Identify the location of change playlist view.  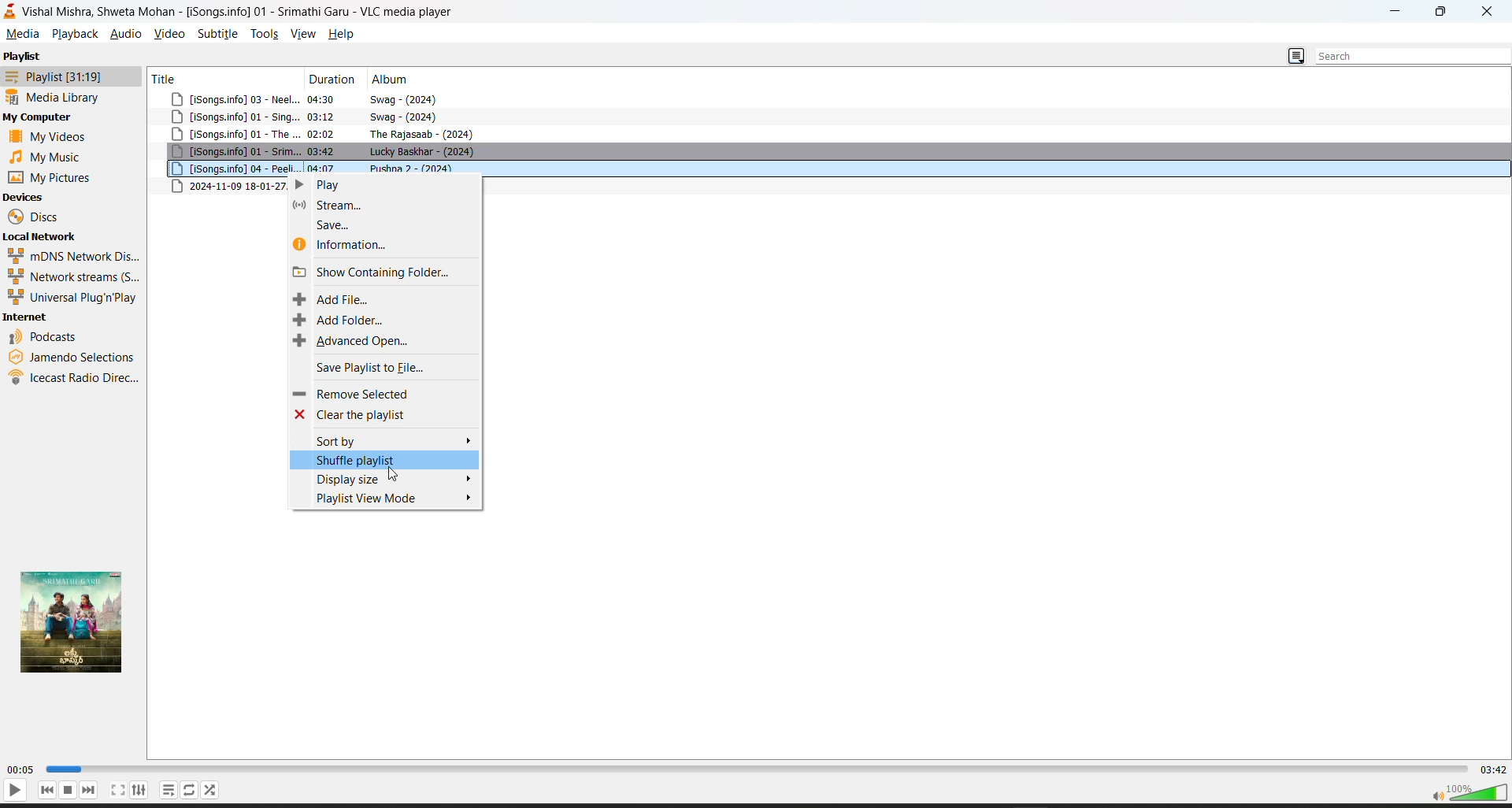
(1297, 55).